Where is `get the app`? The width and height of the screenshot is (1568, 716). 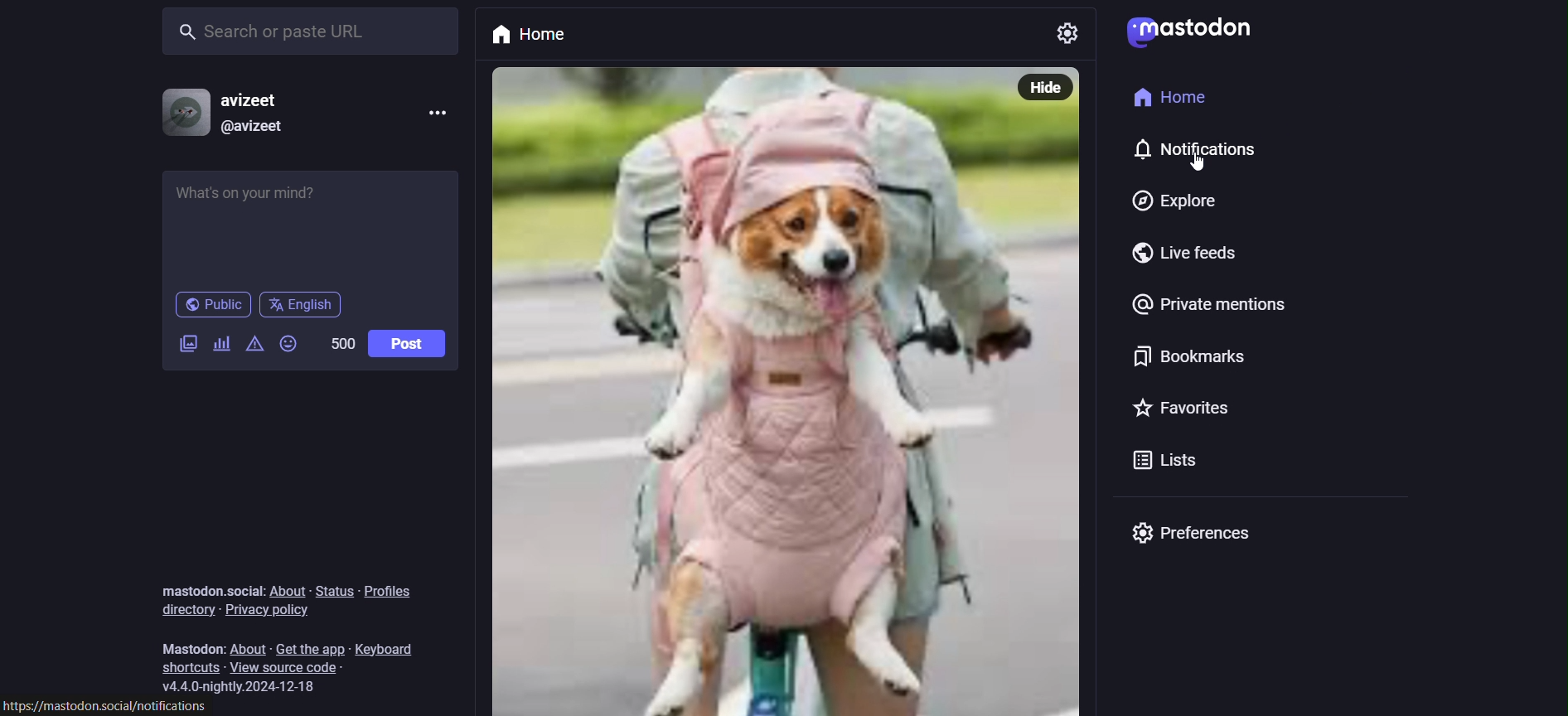
get the app is located at coordinates (309, 647).